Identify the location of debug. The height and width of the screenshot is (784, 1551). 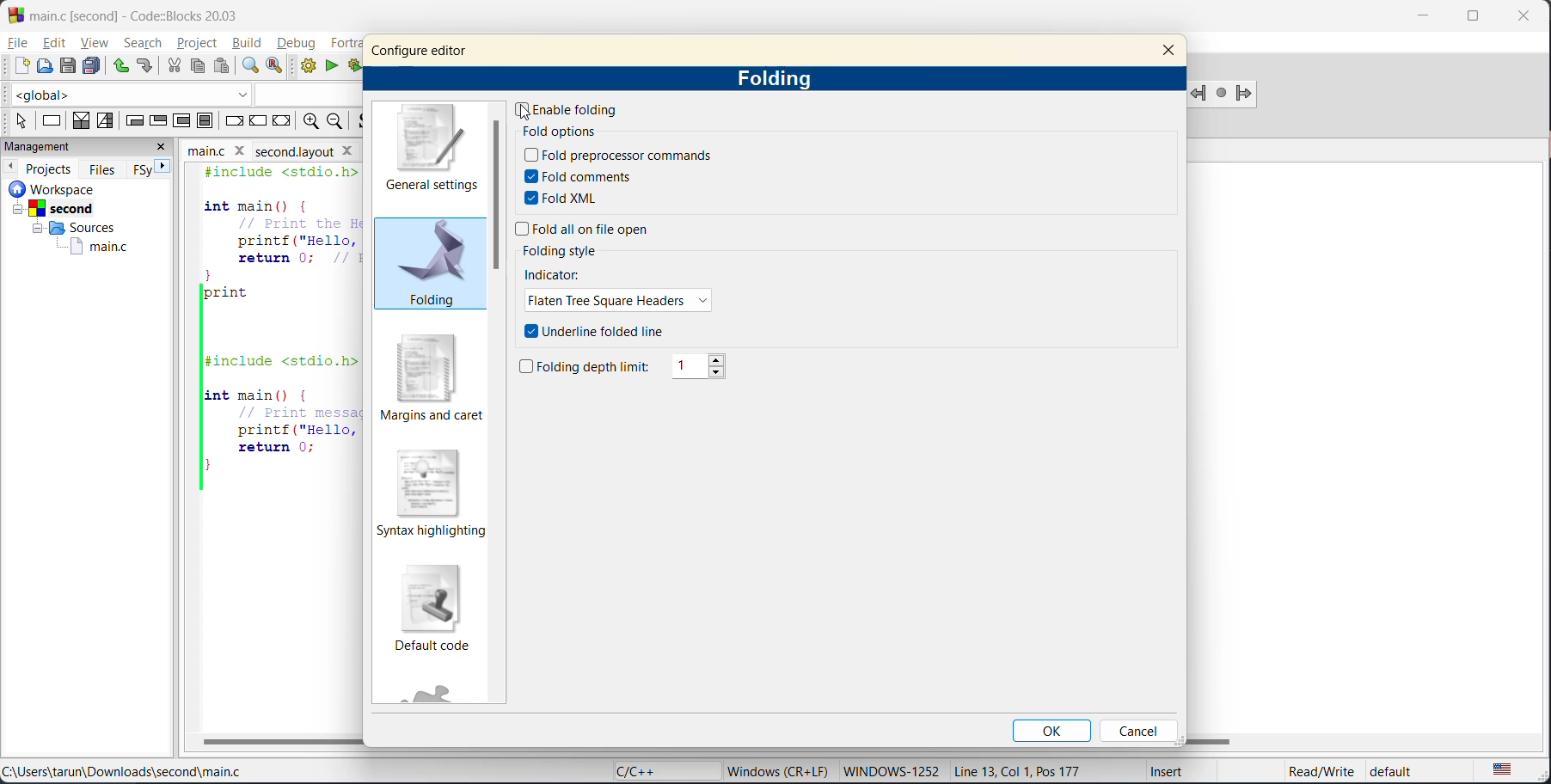
(297, 44).